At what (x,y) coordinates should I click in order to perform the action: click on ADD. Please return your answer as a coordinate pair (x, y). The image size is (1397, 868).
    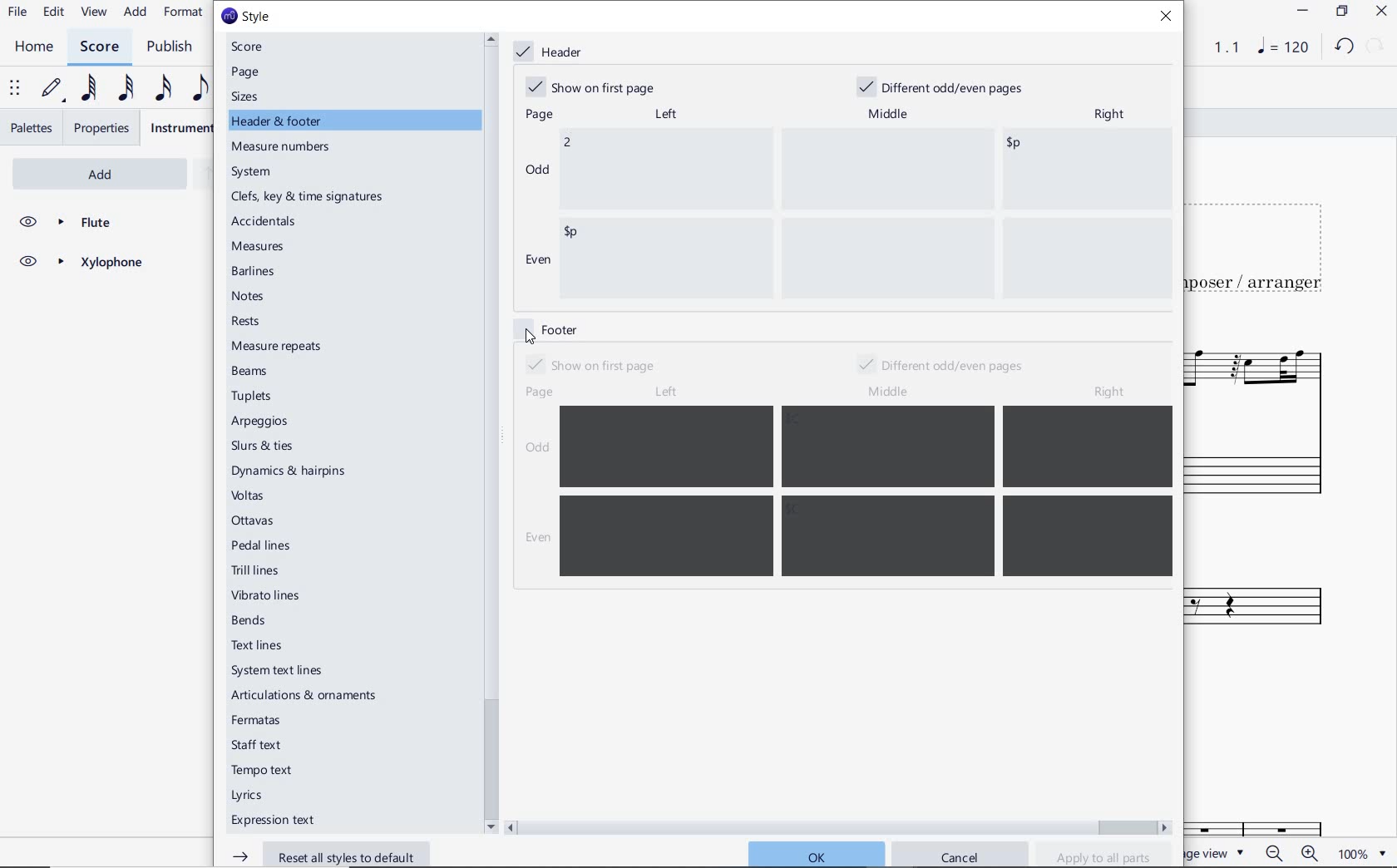
    Looking at the image, I should click on (78, 172).